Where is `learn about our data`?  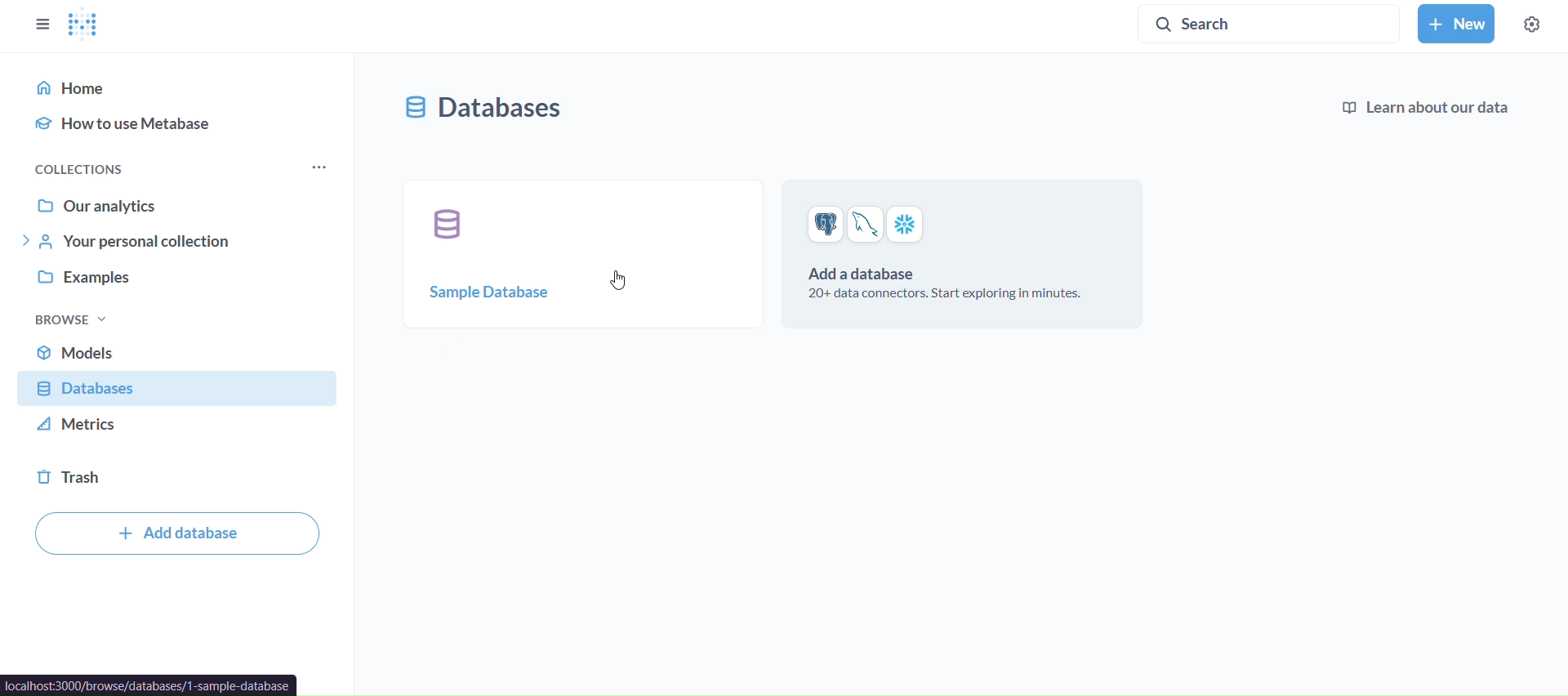 learn about our data is located at coordinates (1423, 109).